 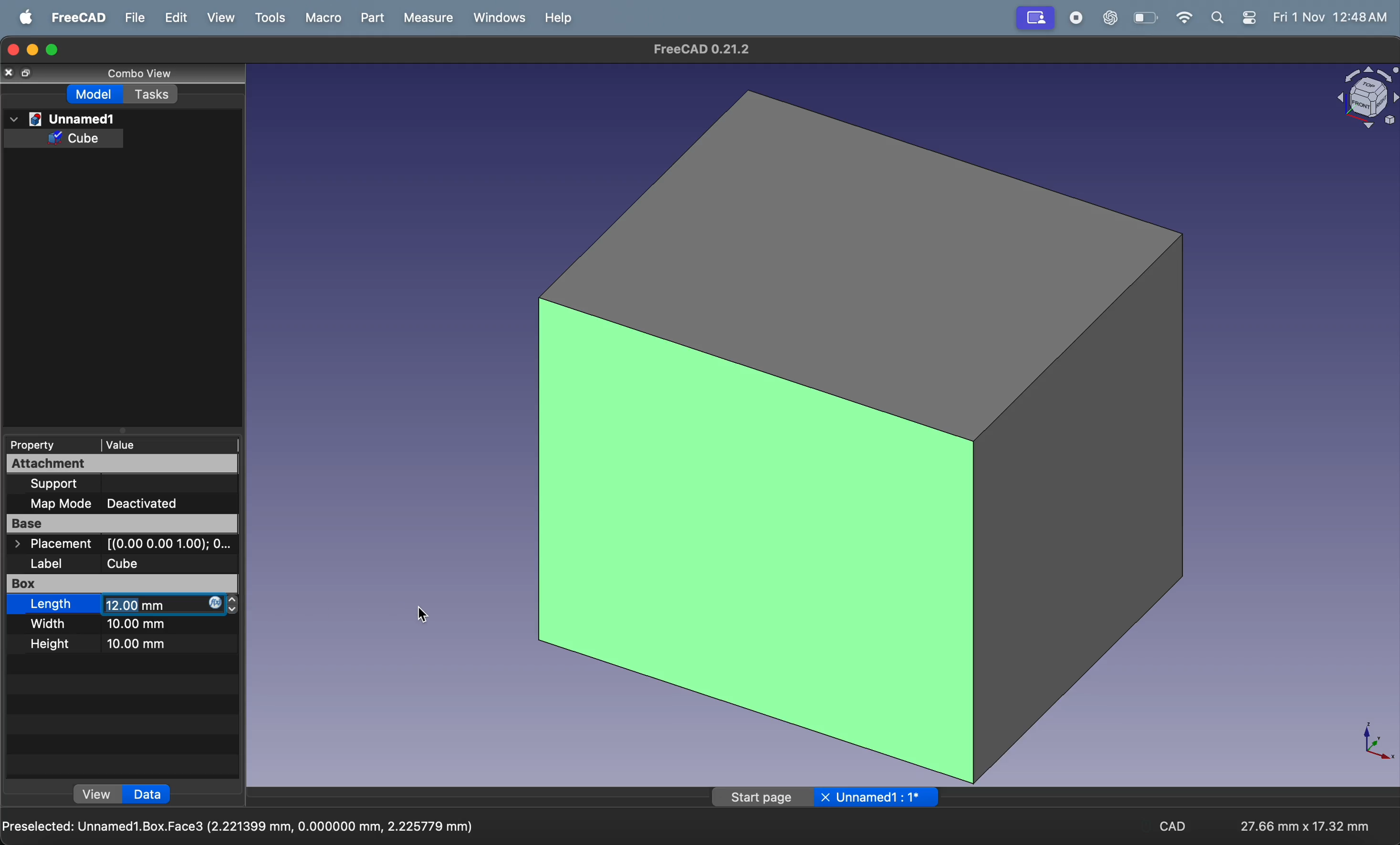 I want to click on axis, so click(x=1372, y=742).